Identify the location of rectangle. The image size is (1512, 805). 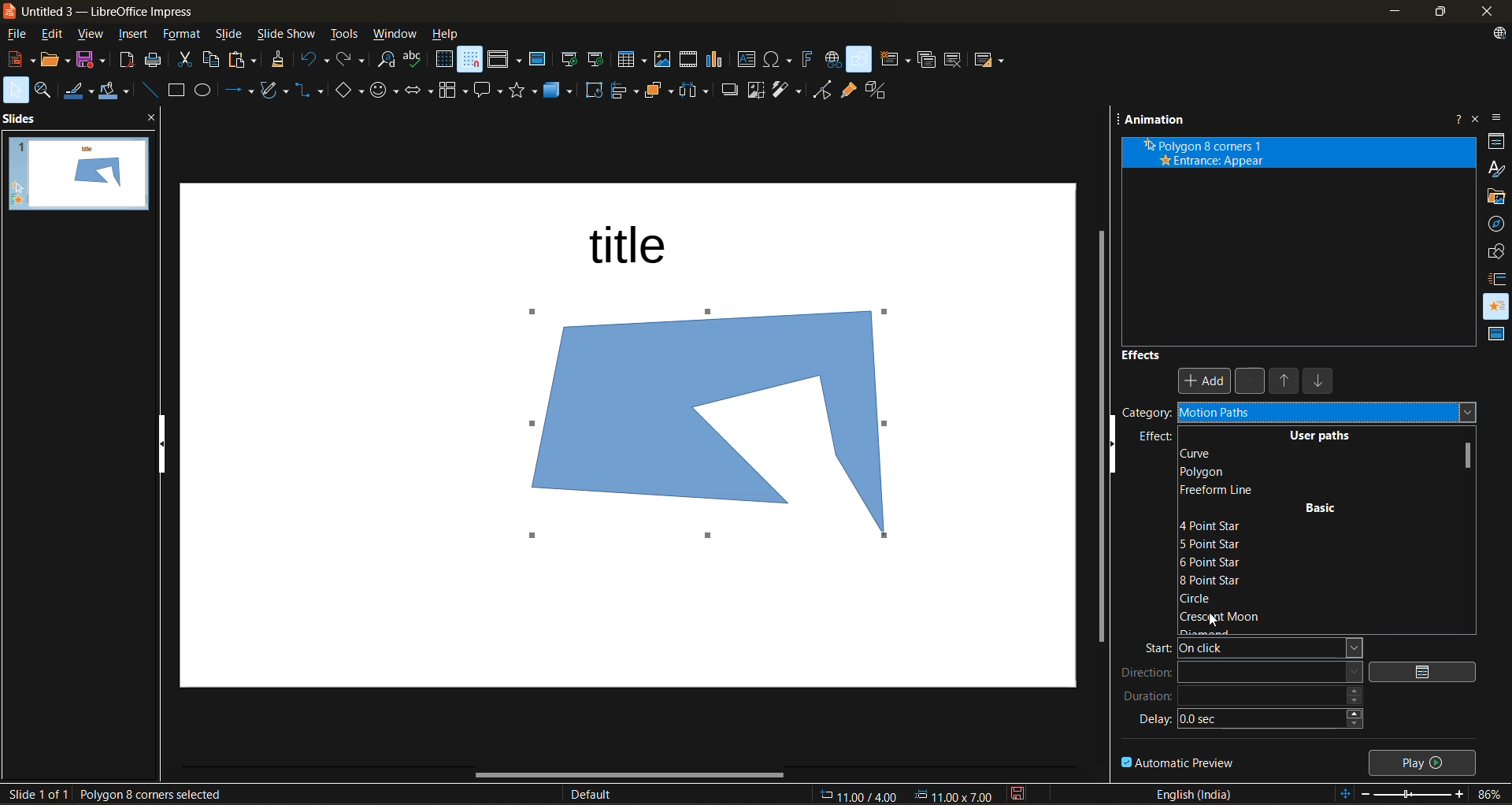
(175, 90).